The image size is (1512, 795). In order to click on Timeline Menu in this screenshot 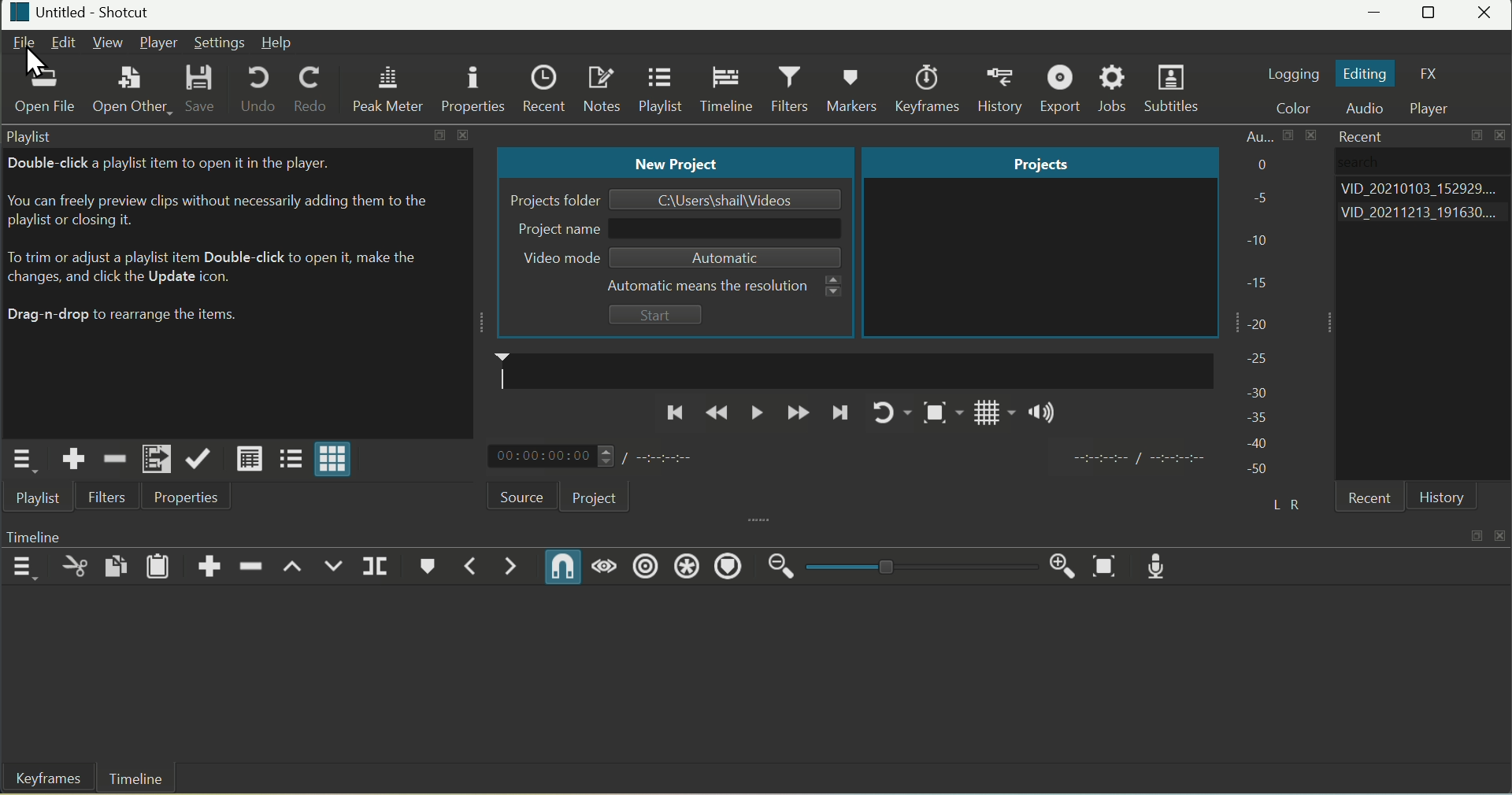, I will do `click(24, 566)`.